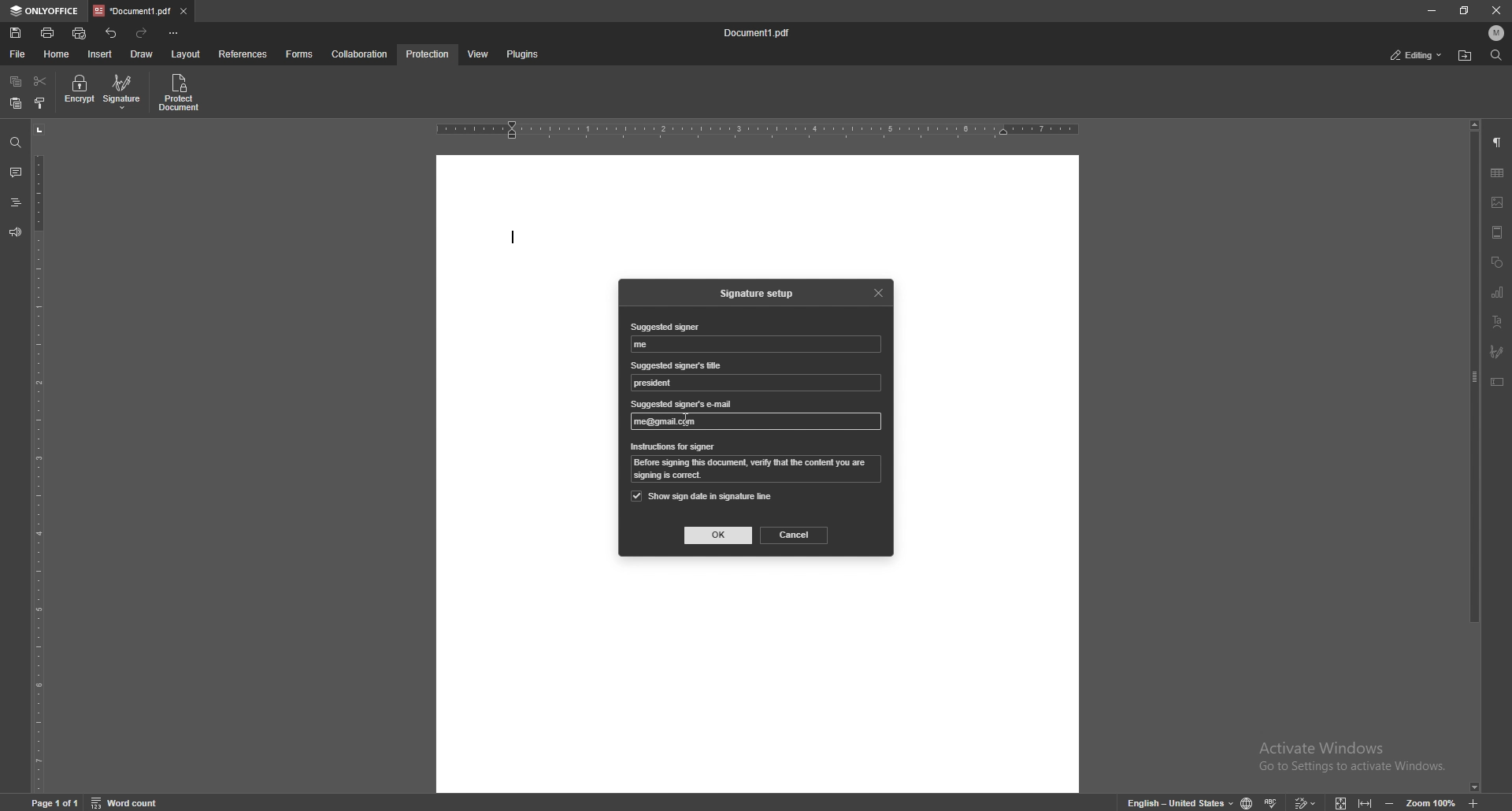  I want to click on suggested signer's title, so click(677, 365).